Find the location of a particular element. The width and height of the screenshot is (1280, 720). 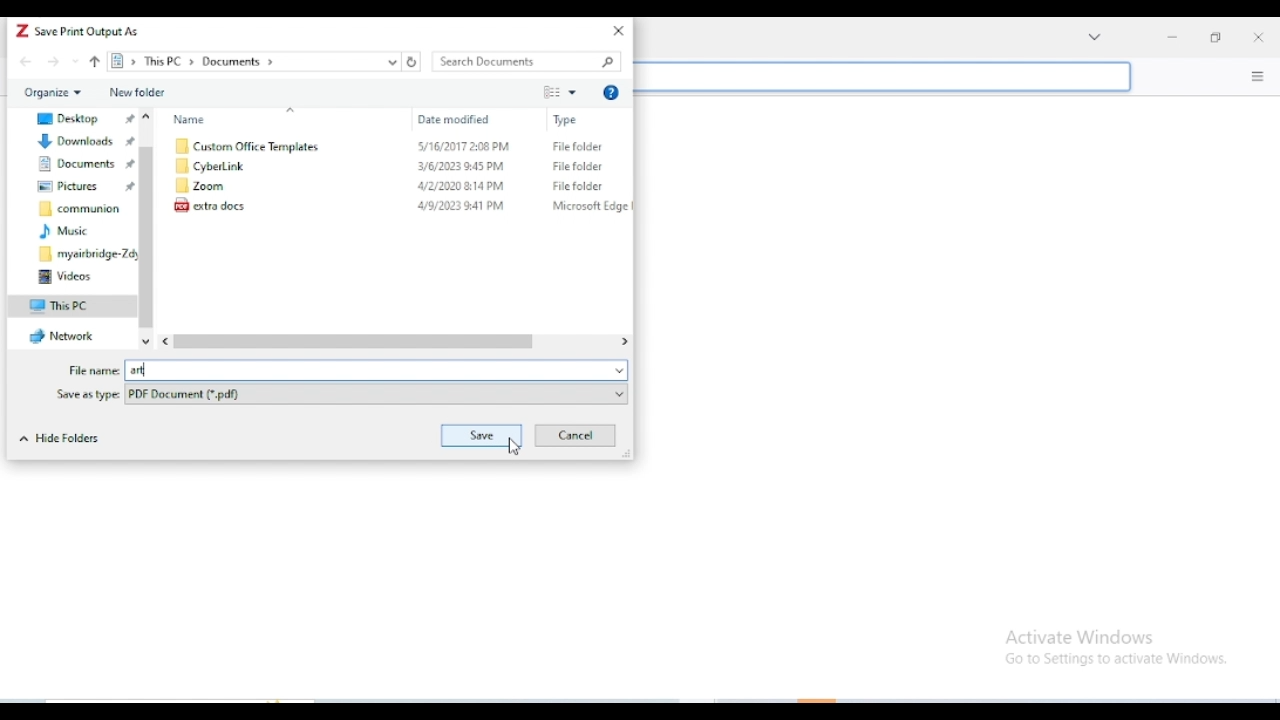

horizontal scroll bar is located at coordinates (395, 343).